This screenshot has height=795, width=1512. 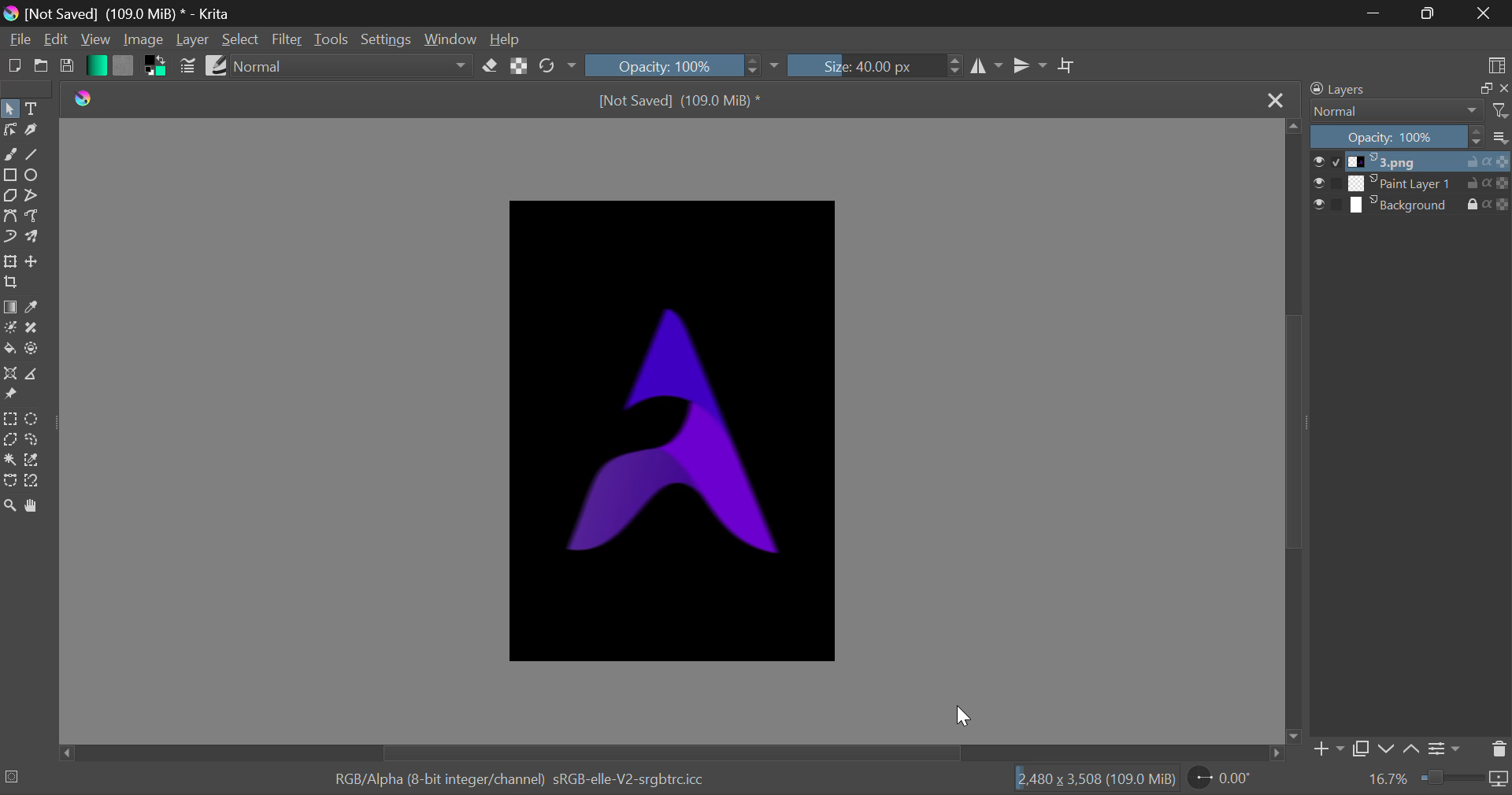 I want to click on Vertical Mirror Flip, so click(x=988, y=68).